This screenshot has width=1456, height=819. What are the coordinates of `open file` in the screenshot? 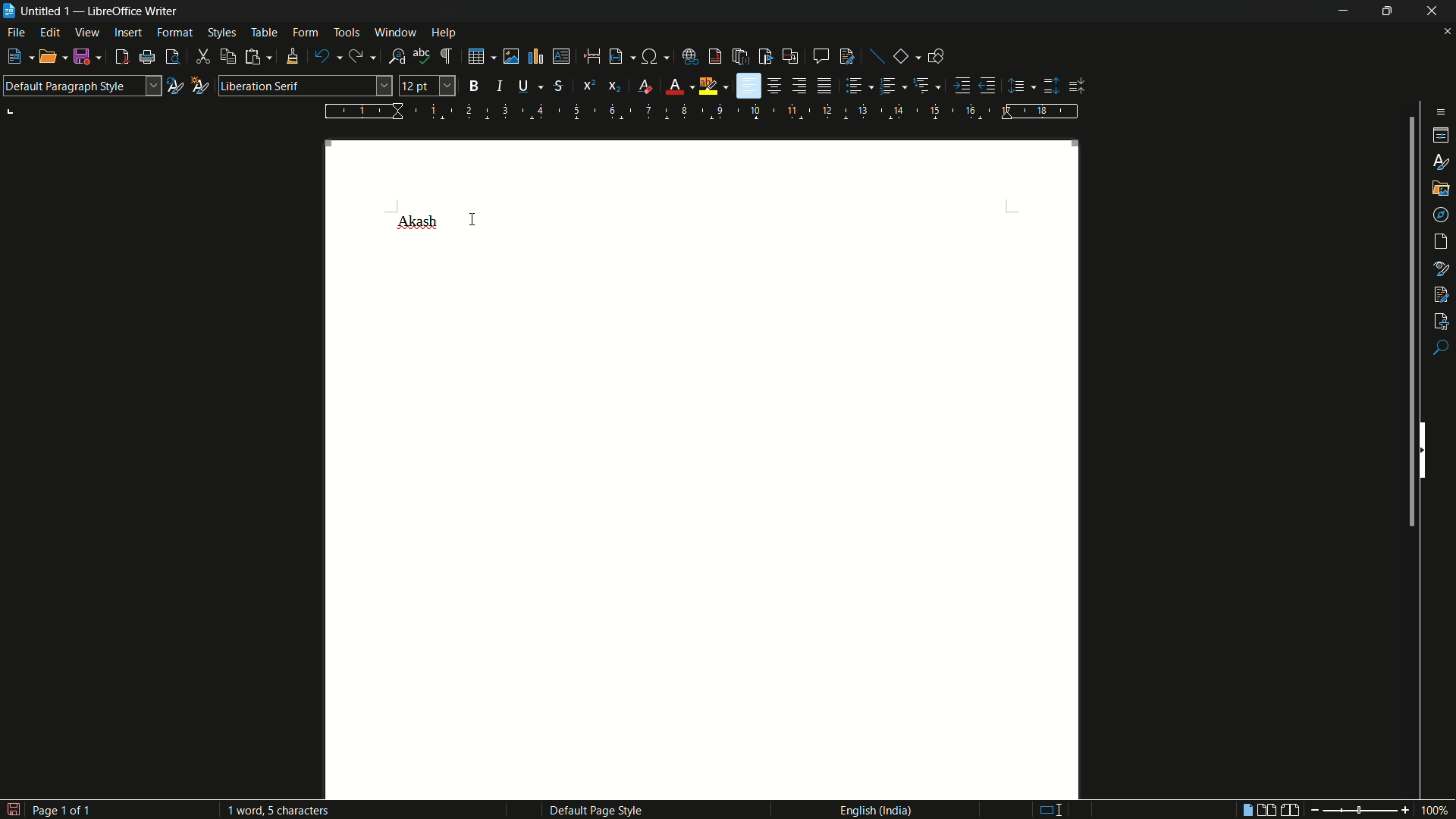 It's located at (44, 58).